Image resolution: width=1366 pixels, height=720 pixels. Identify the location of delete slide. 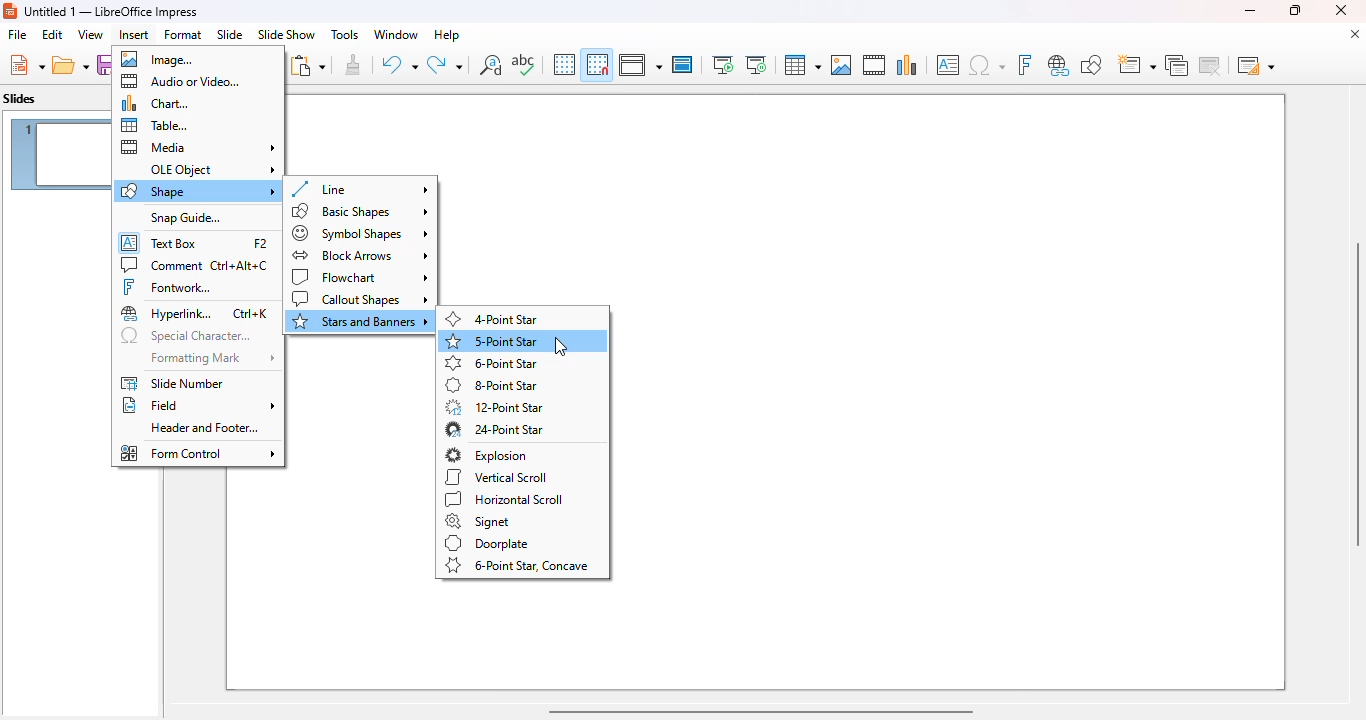
(1213, 65).